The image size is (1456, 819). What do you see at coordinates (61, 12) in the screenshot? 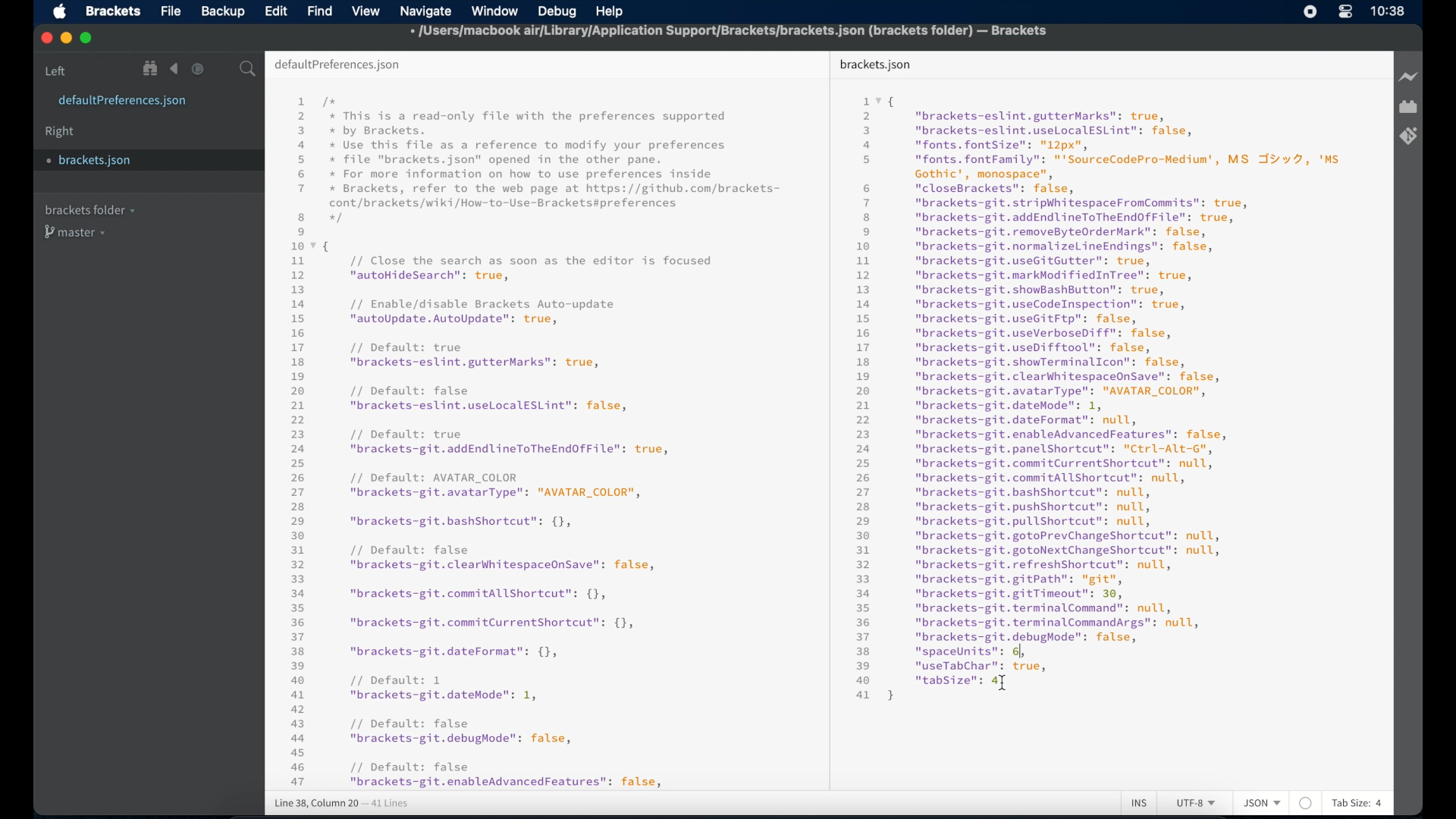
I see `apple icon` at bounding box center [61, 12].